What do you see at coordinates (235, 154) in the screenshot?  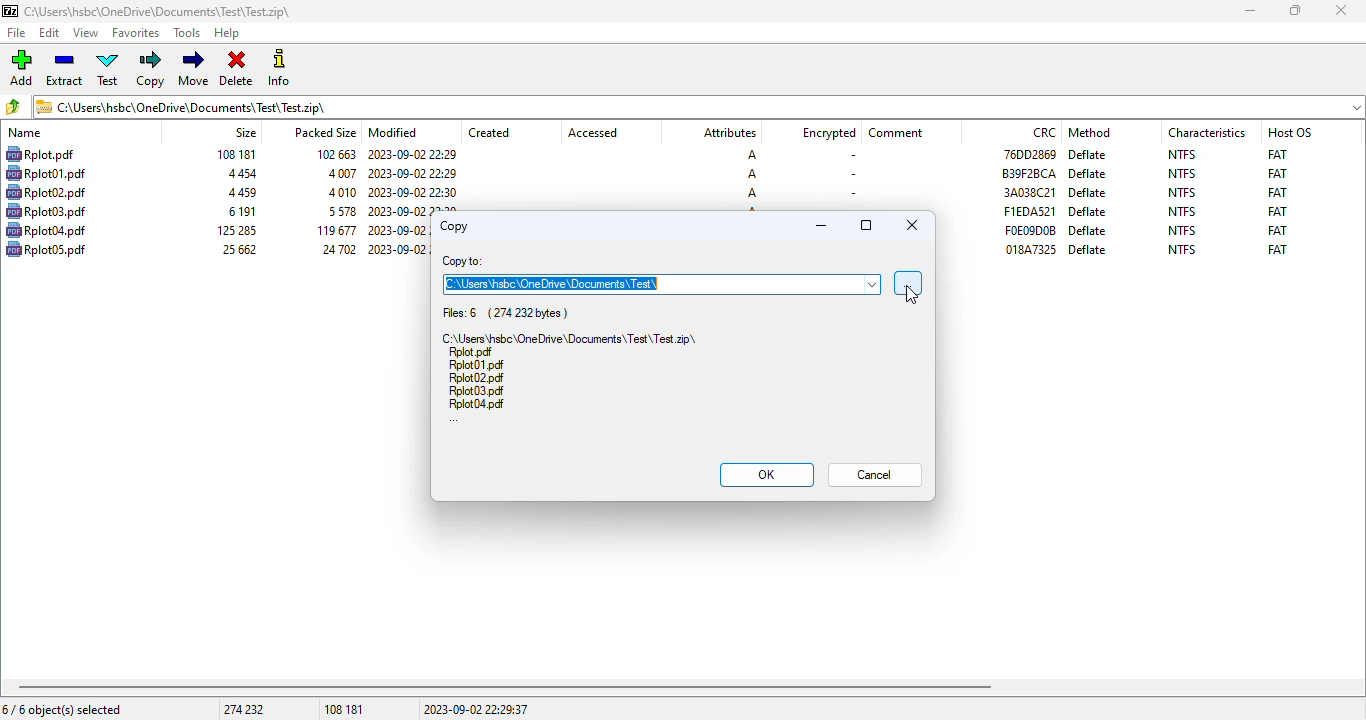 I see `size` at bounding box center [235, 154].